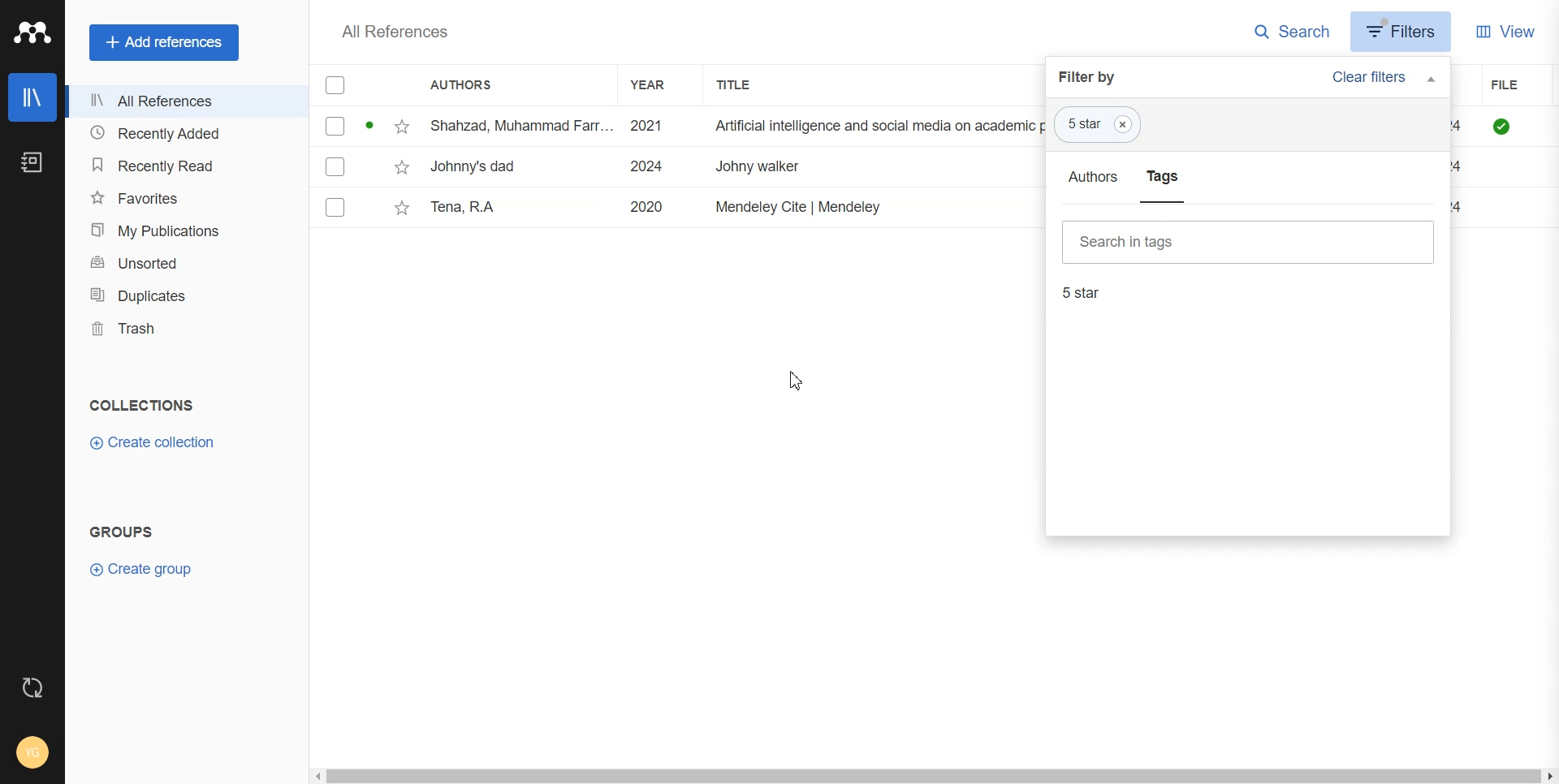 This screenshot has height=784, width=1559. What do you see at coordinates (1093, 77) in the screenshot?
I see `Filter by` at bounding box center [1093, 77].